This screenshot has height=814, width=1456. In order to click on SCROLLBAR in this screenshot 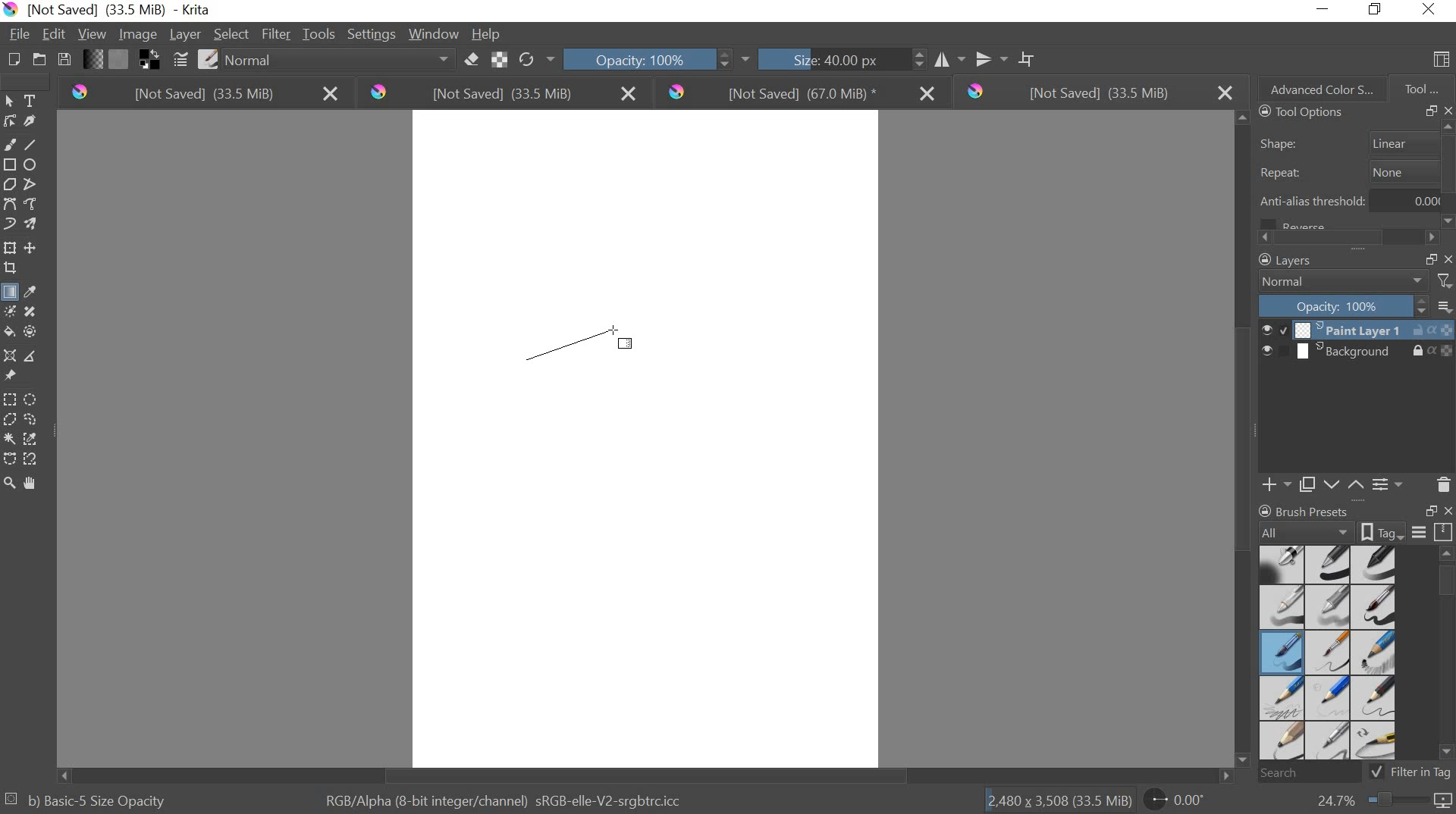, I will do `click(1447, 658)`.